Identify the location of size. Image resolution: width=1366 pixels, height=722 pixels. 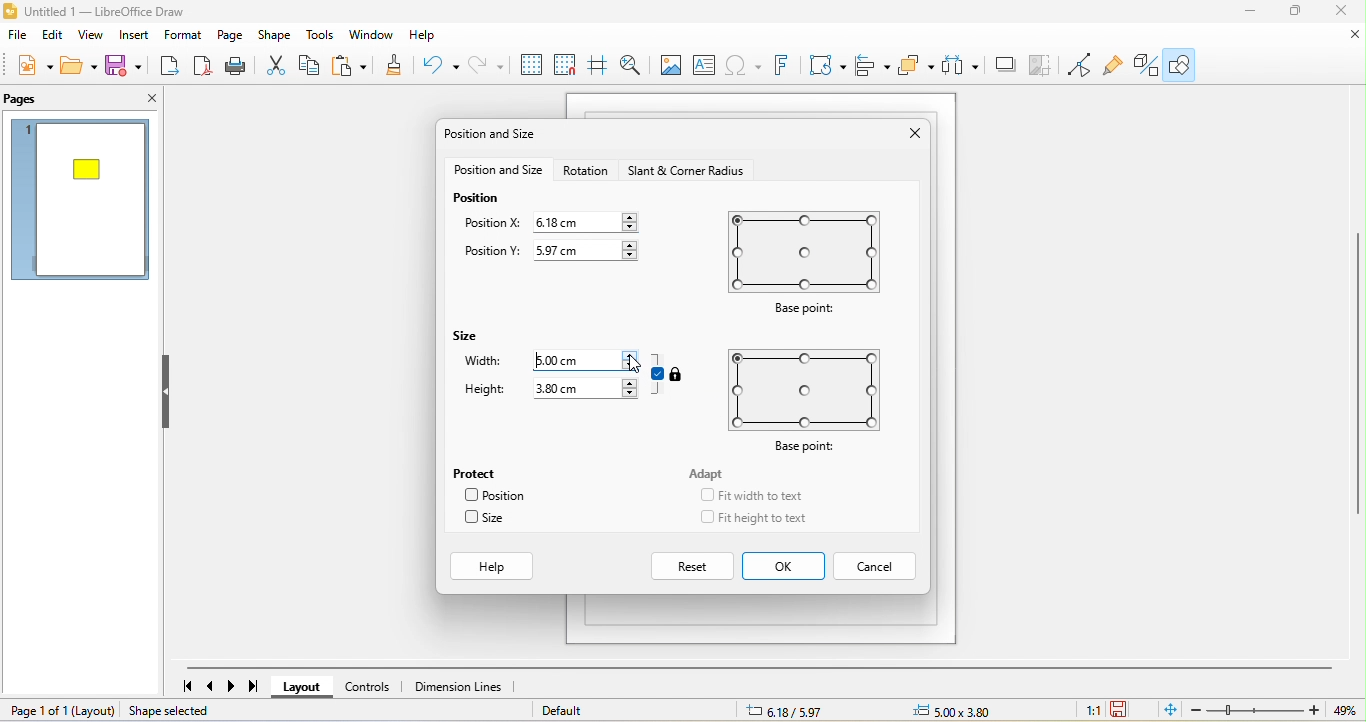
(486, 521).